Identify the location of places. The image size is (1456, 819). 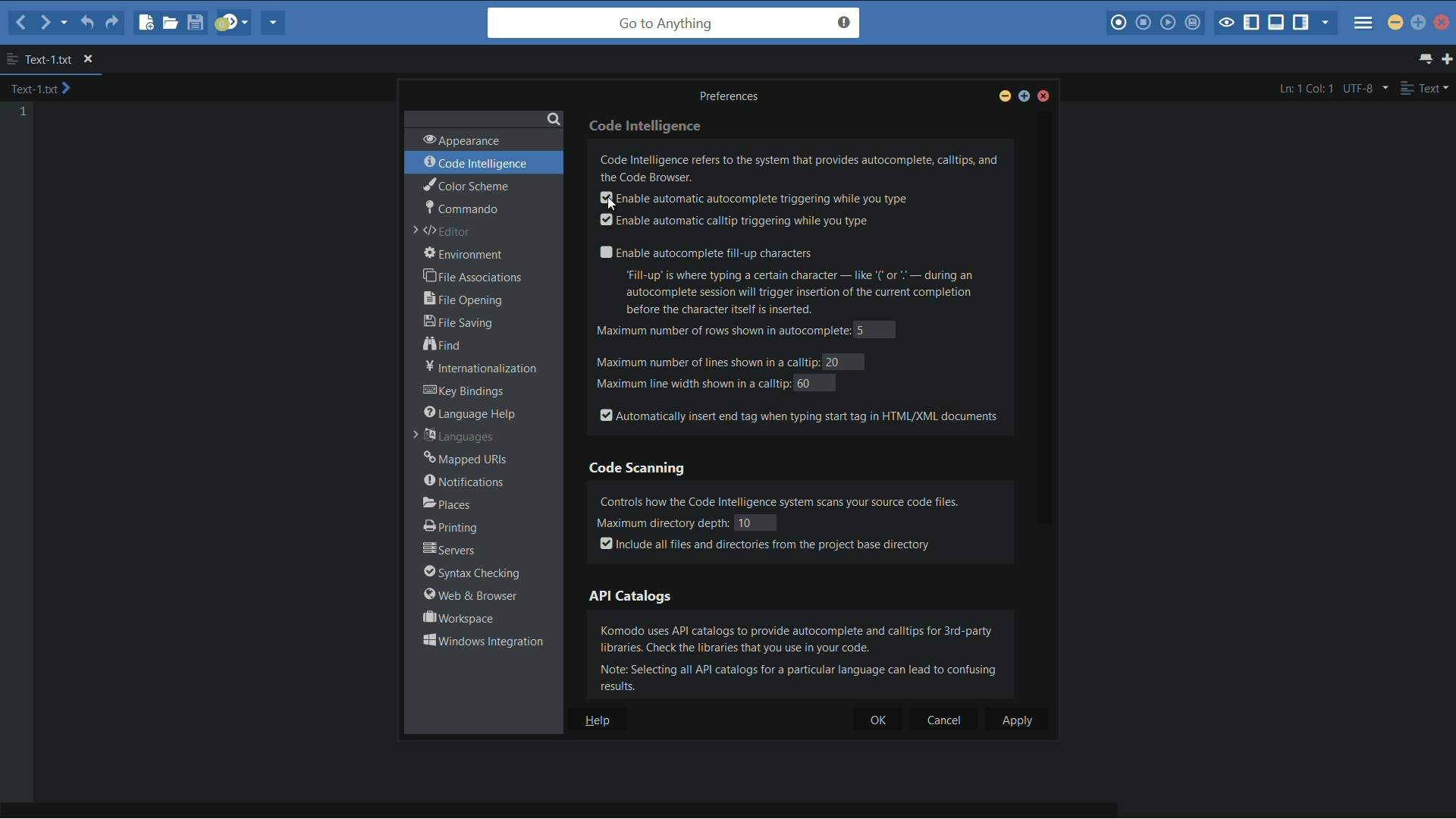
(447, 504).